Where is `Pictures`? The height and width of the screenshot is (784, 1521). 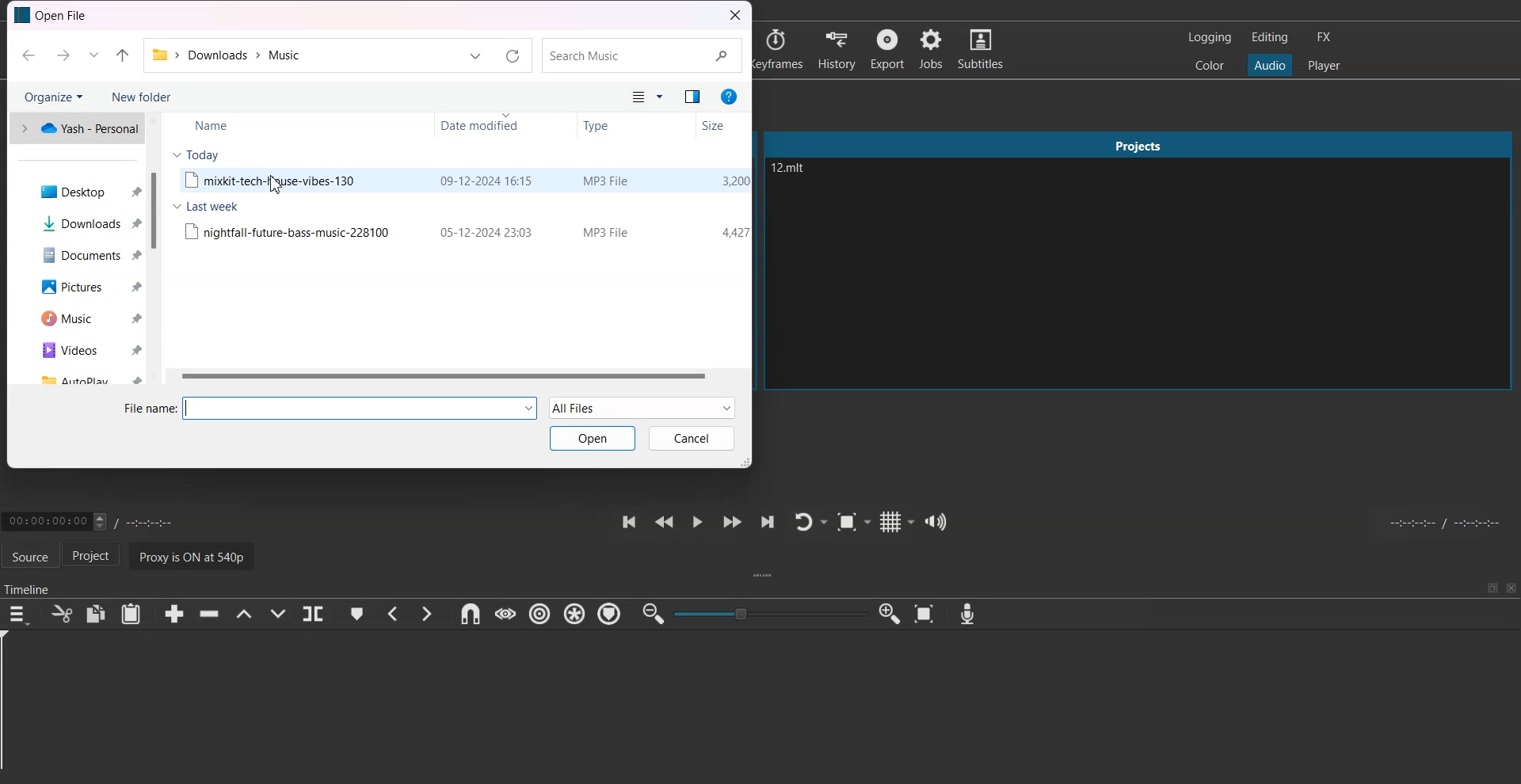 Pictures is located at coordinates (82, 288).